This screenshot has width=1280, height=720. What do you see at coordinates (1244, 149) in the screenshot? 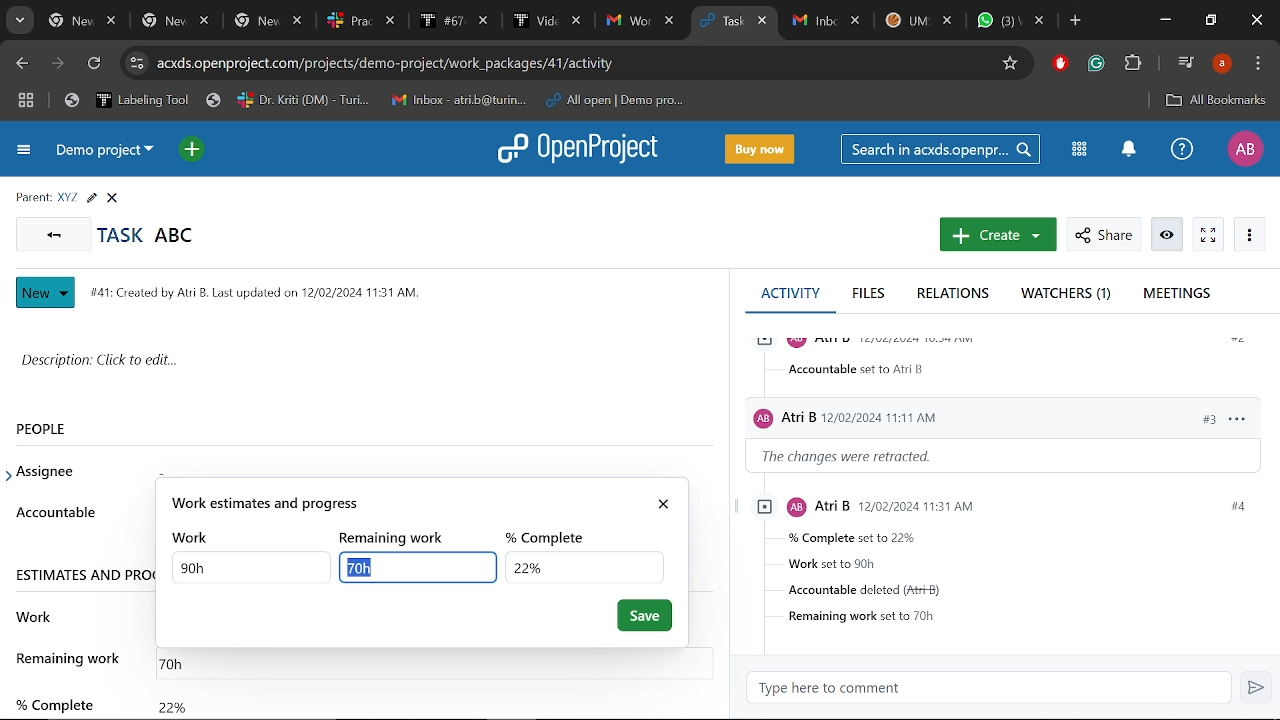
I see `Profile` at bounding box center [1244, 149].